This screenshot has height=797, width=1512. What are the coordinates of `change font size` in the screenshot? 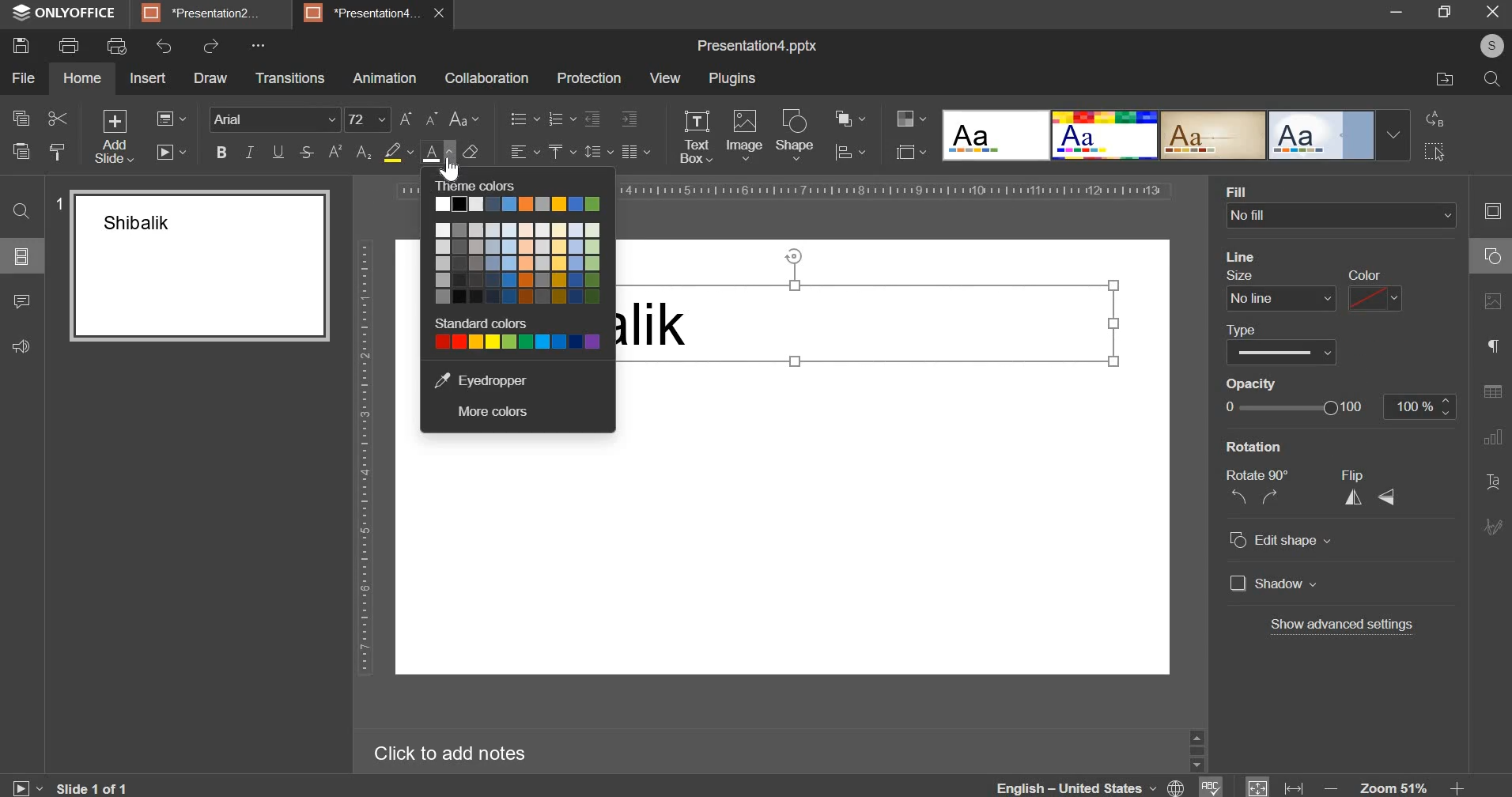 It's located at (420, 118).